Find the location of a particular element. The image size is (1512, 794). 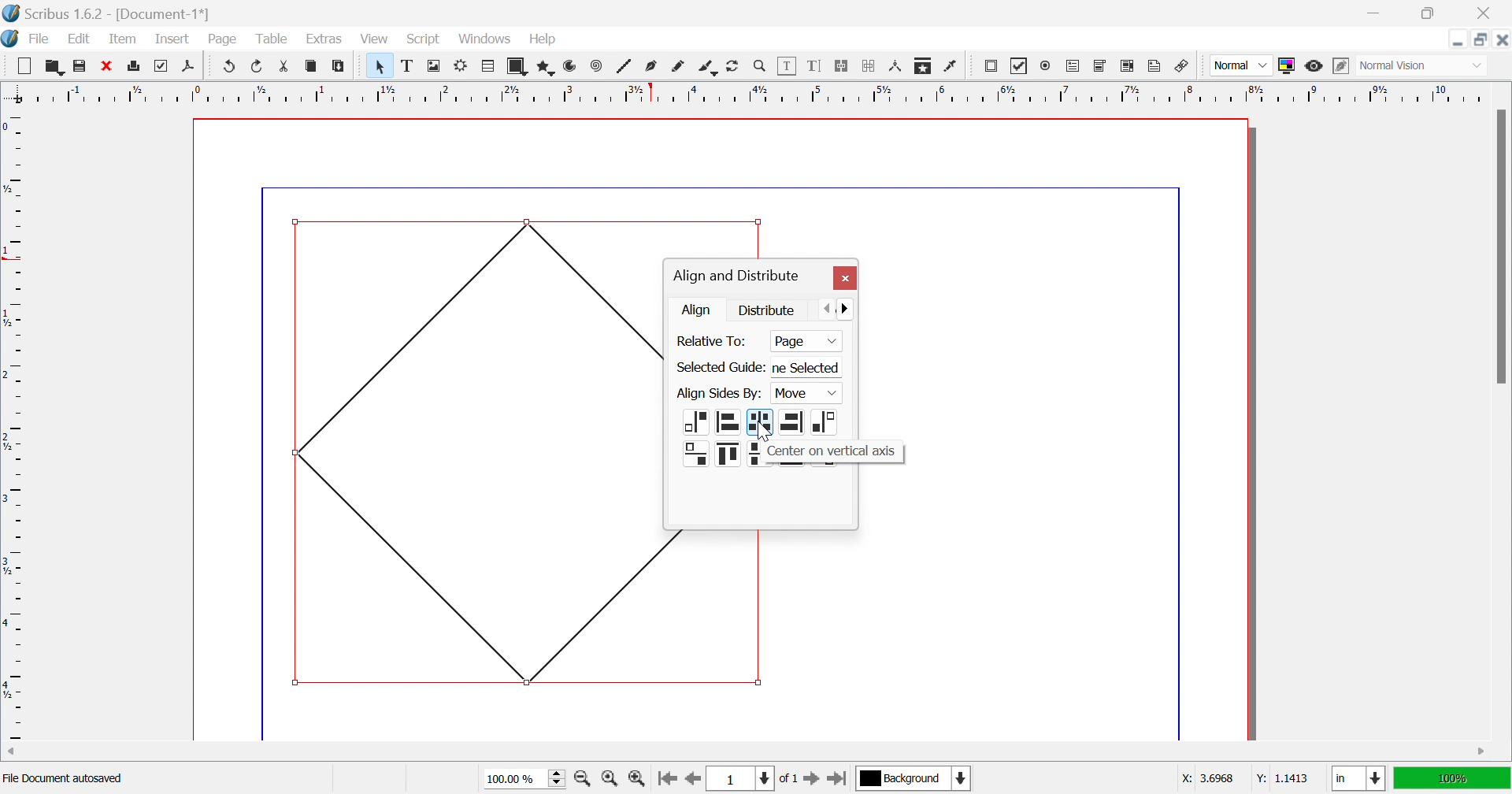

Regular polygon selected: Size = 3.7187 in x 3.7048 in is located at coordinates (134, 781).